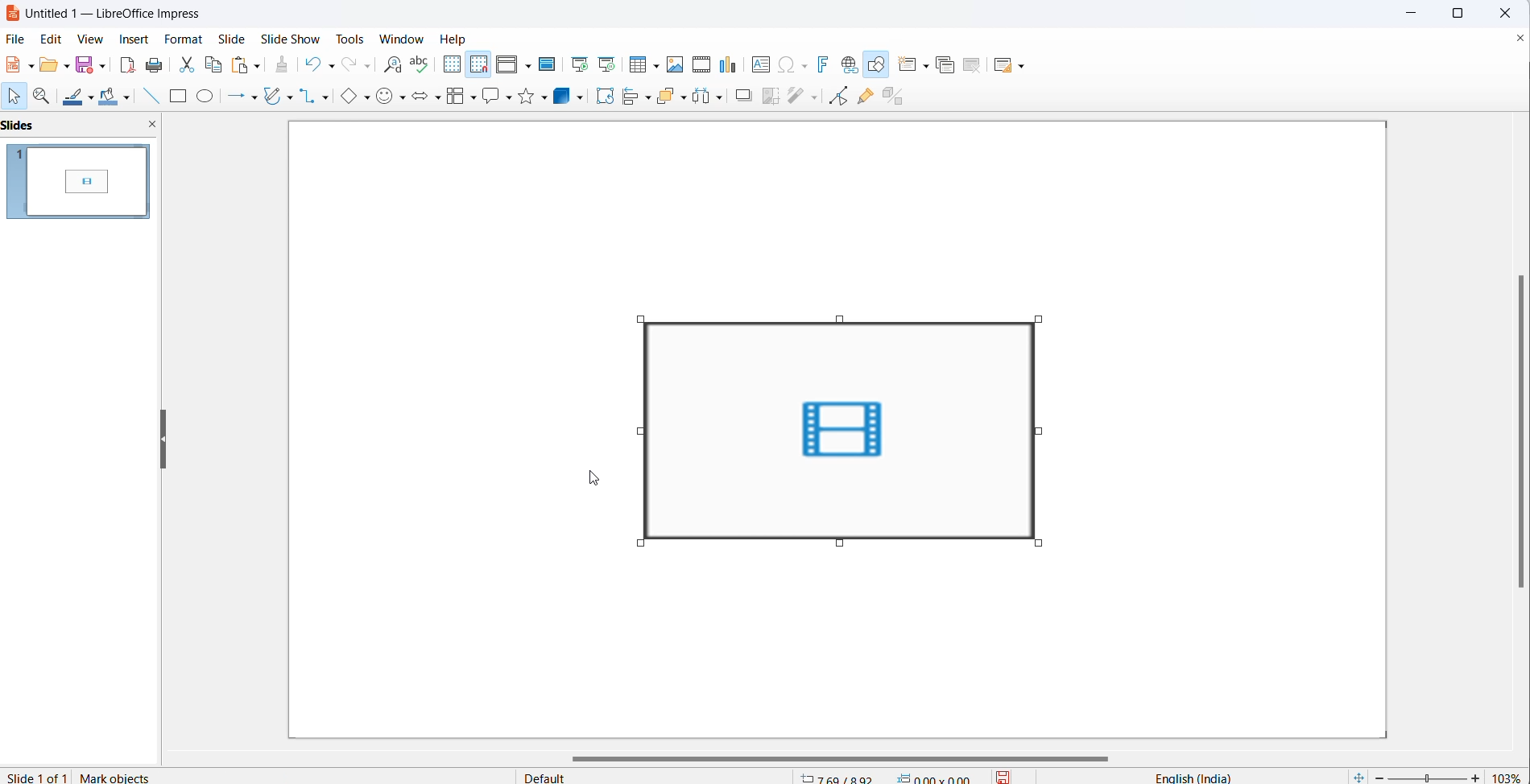  I want to click on selection markup, so click(1044, 541).